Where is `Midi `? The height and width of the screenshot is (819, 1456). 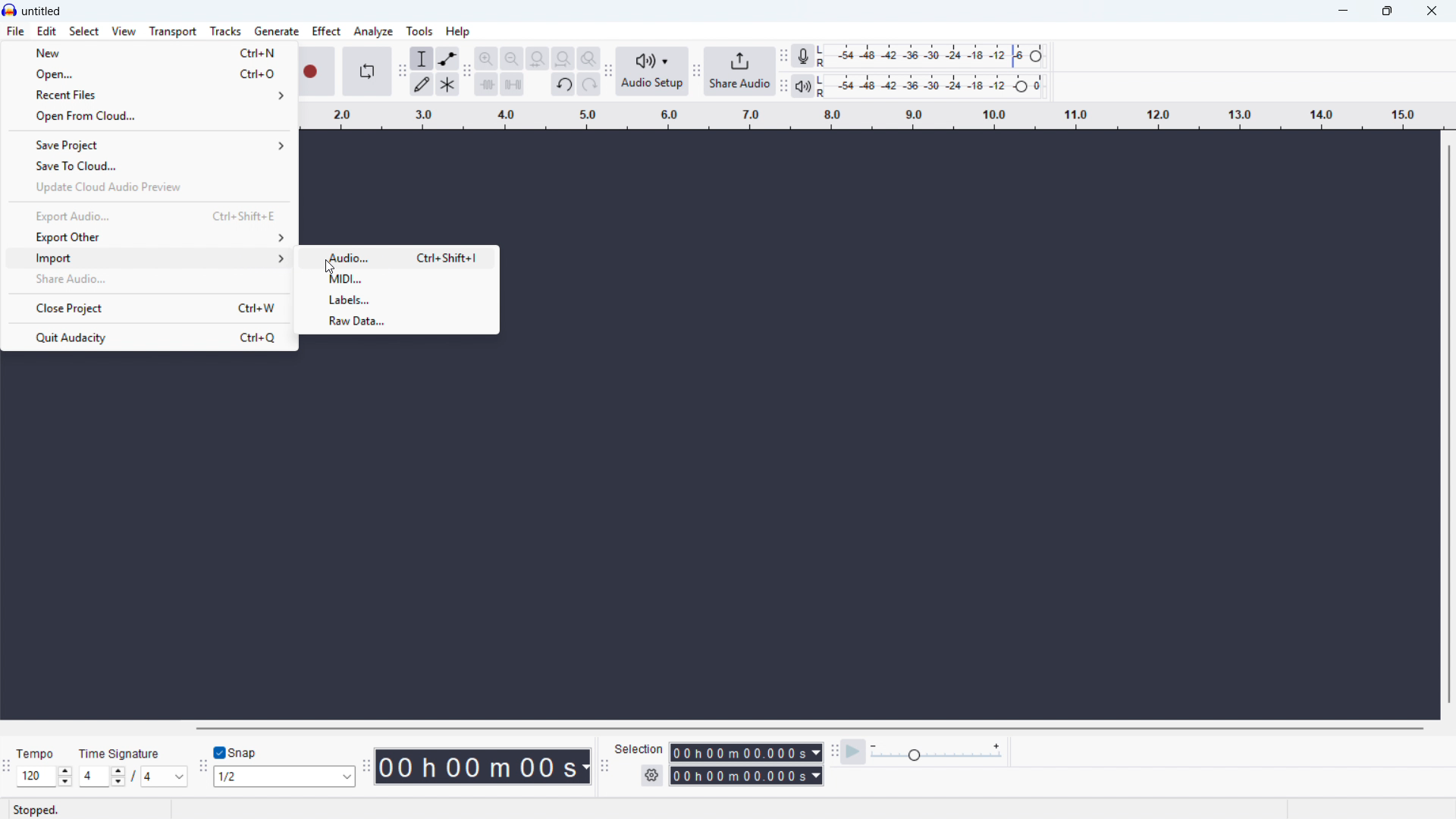 Midi  is located at coordinates (397, 278).